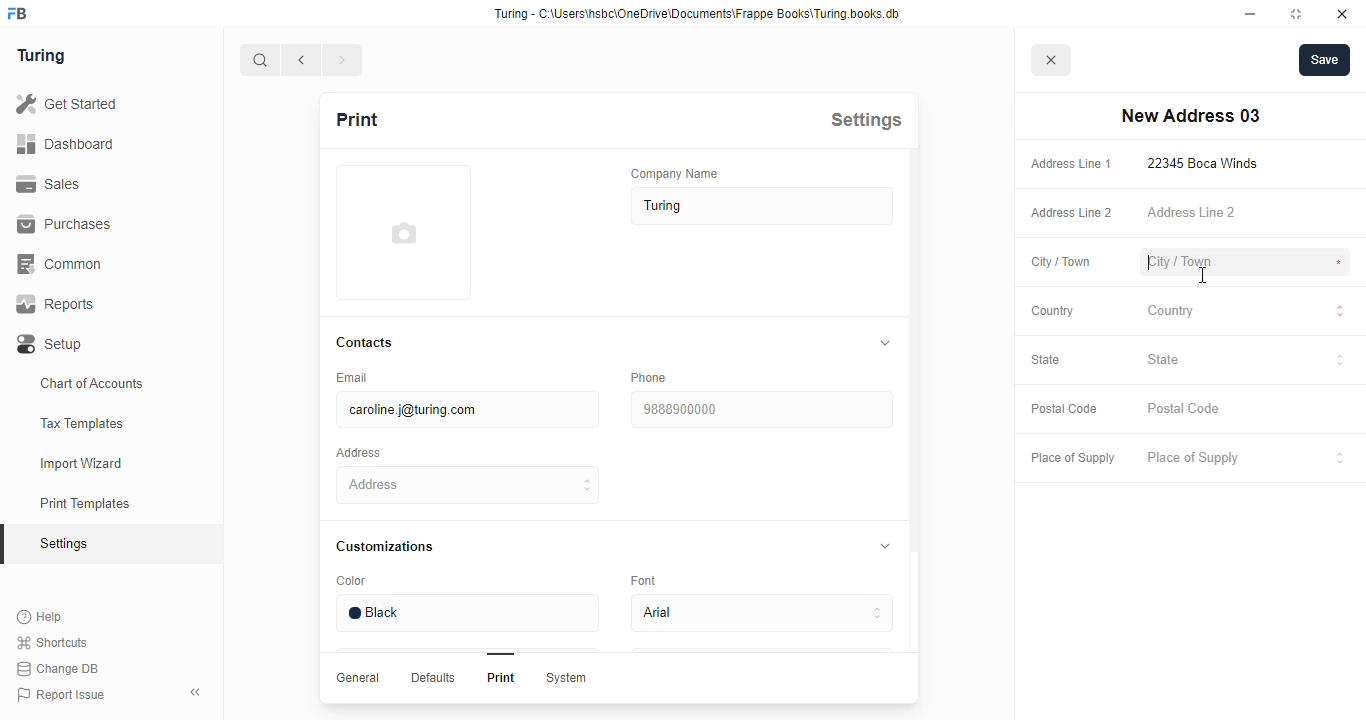 The image size is (1366, 720). I want to click on Print, so click(501, 677).